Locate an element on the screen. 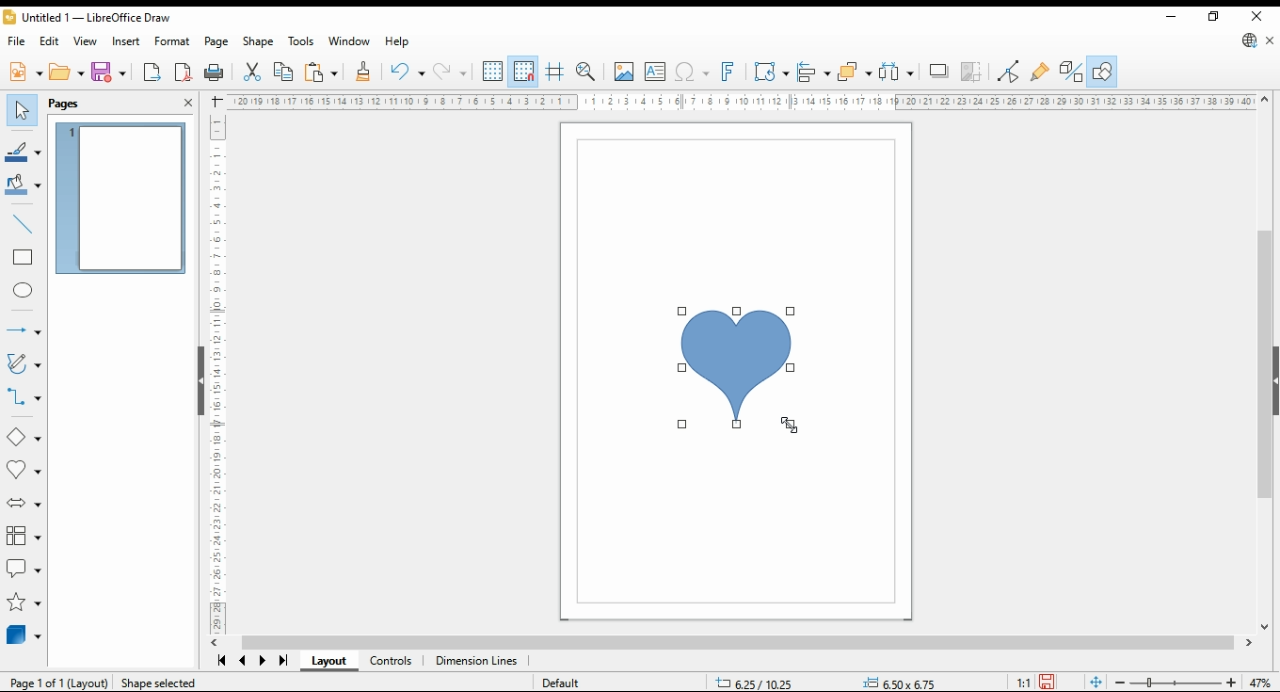 This screenshot has height=692, width=1280. Default is located at coordinates (563, 678).